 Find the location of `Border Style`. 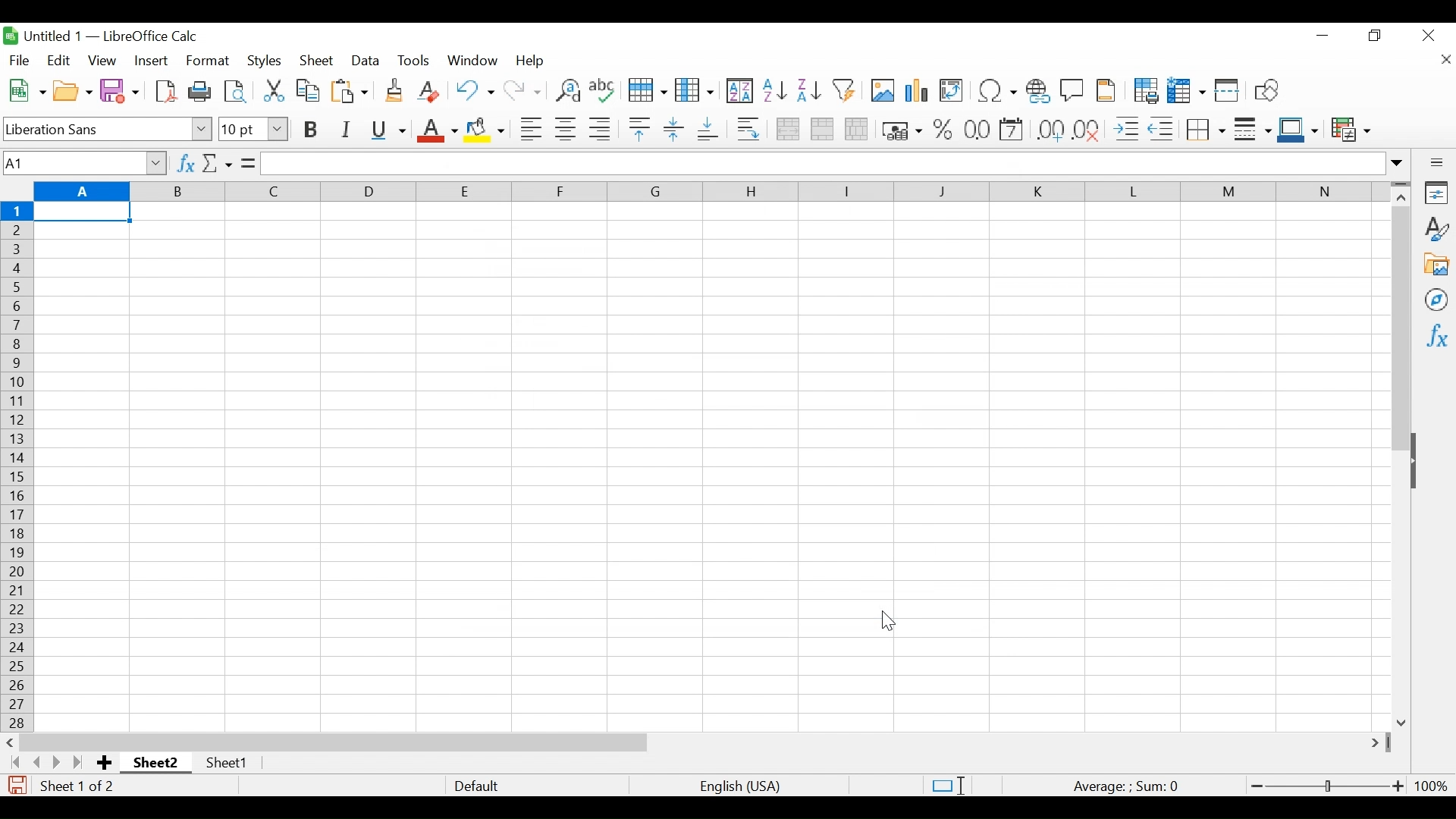

Border Style is located at coordinates (1253, 131).